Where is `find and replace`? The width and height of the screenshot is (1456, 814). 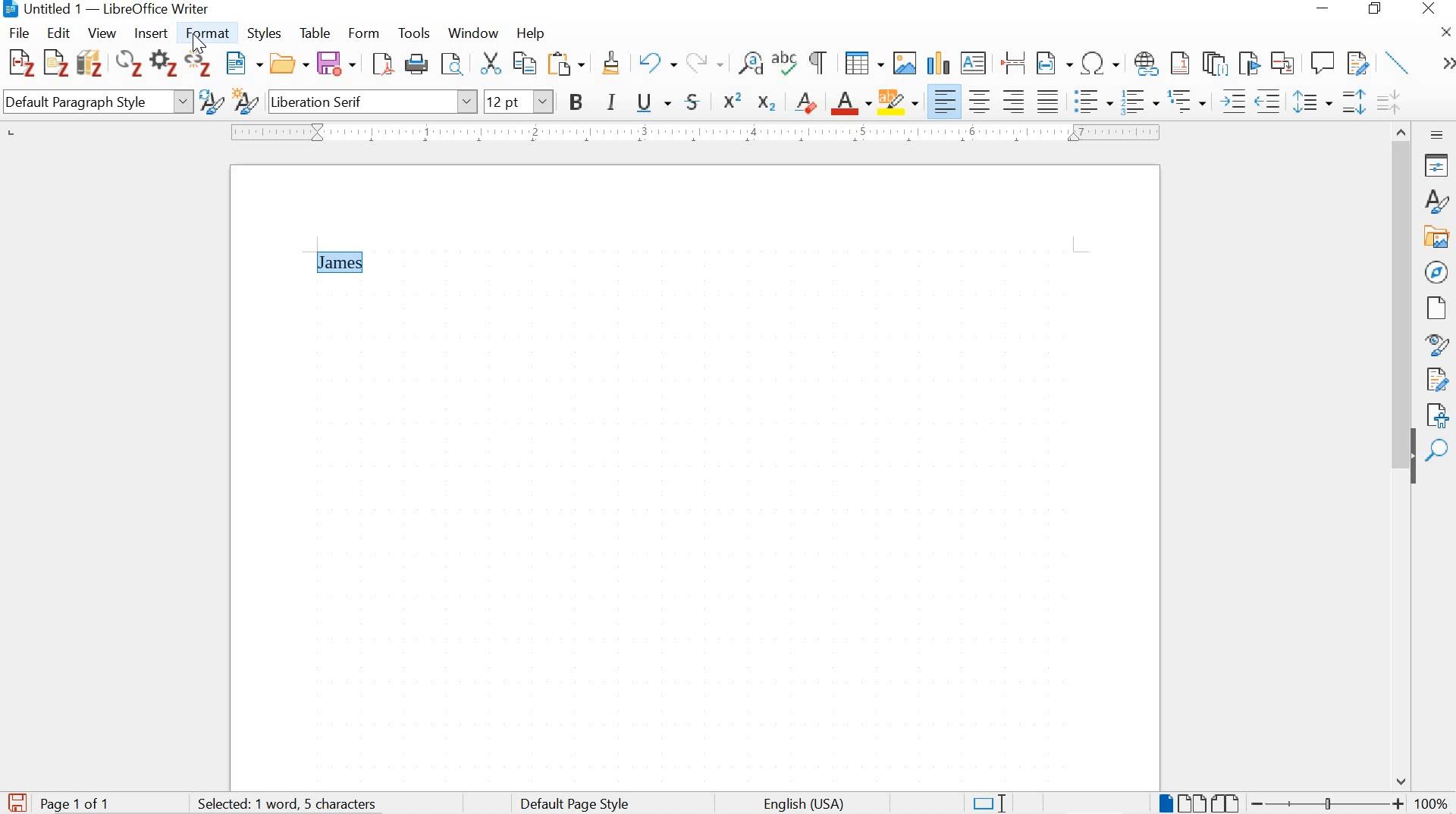 find and replace is located at coordinates (751, 64).